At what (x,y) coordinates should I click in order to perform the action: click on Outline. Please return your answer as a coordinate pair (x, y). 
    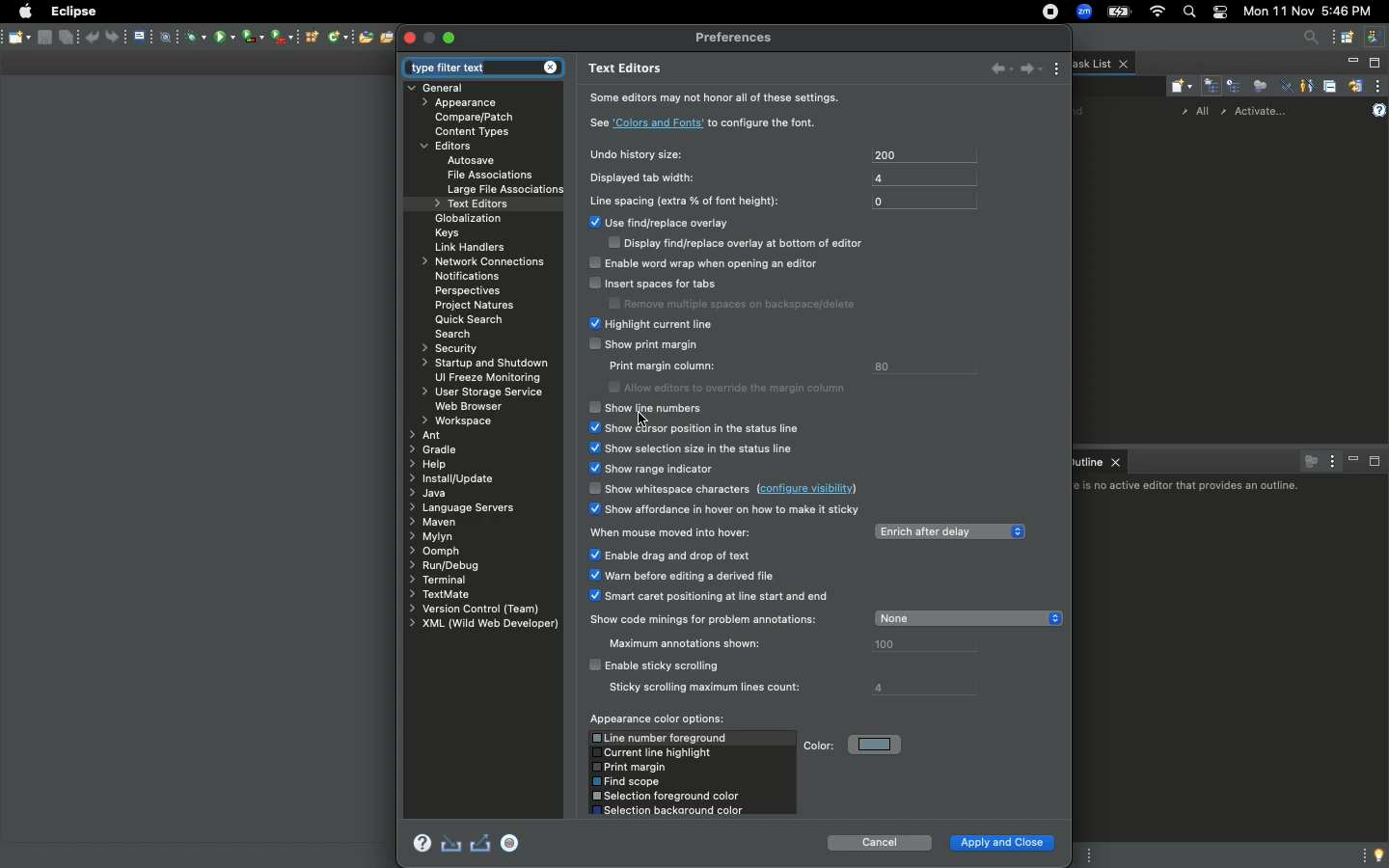
    Looking at the image, I should click on (1101, 461).